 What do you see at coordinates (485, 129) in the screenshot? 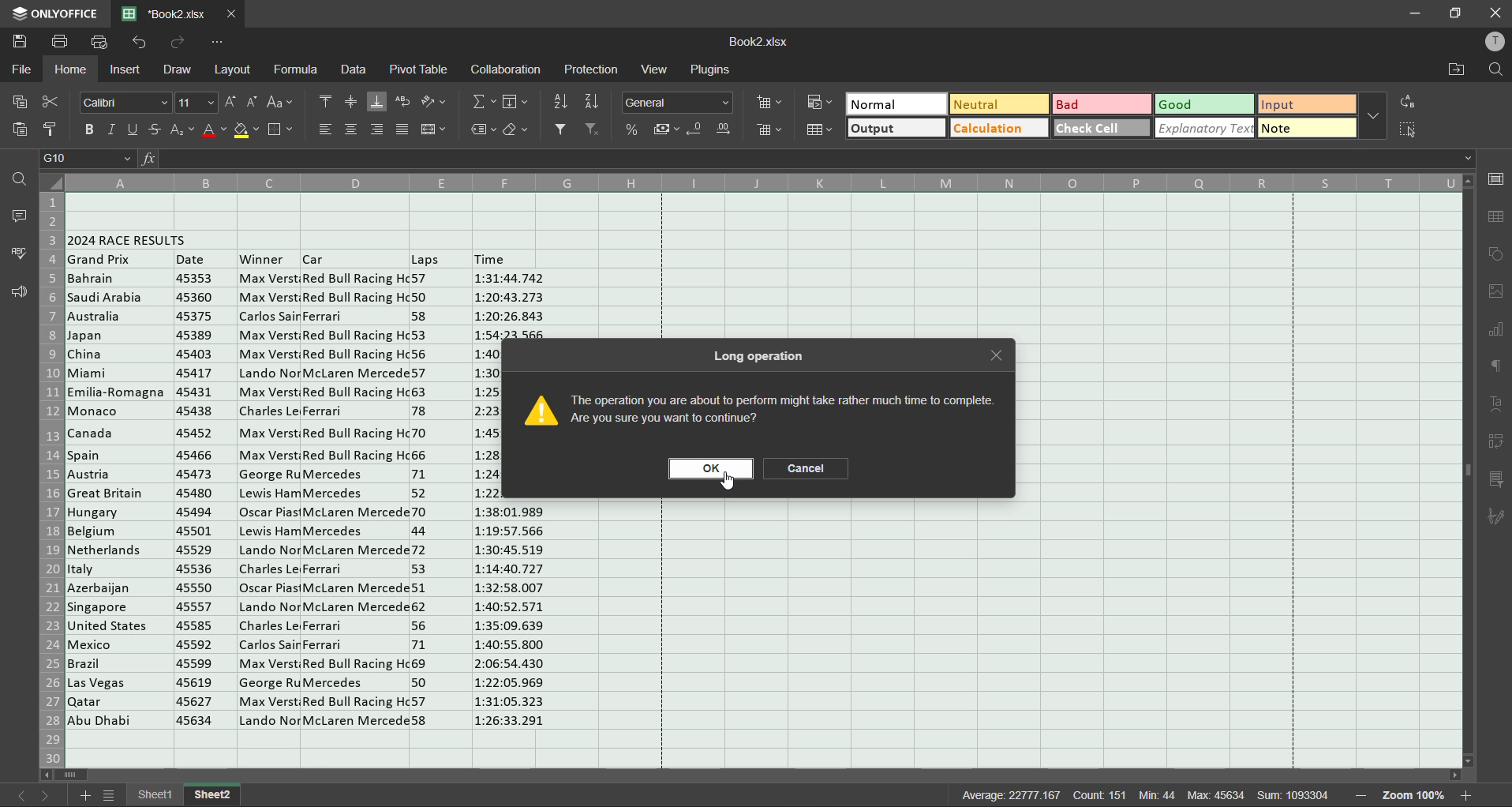
I see `named ranges` at bounding box center [485, 129].